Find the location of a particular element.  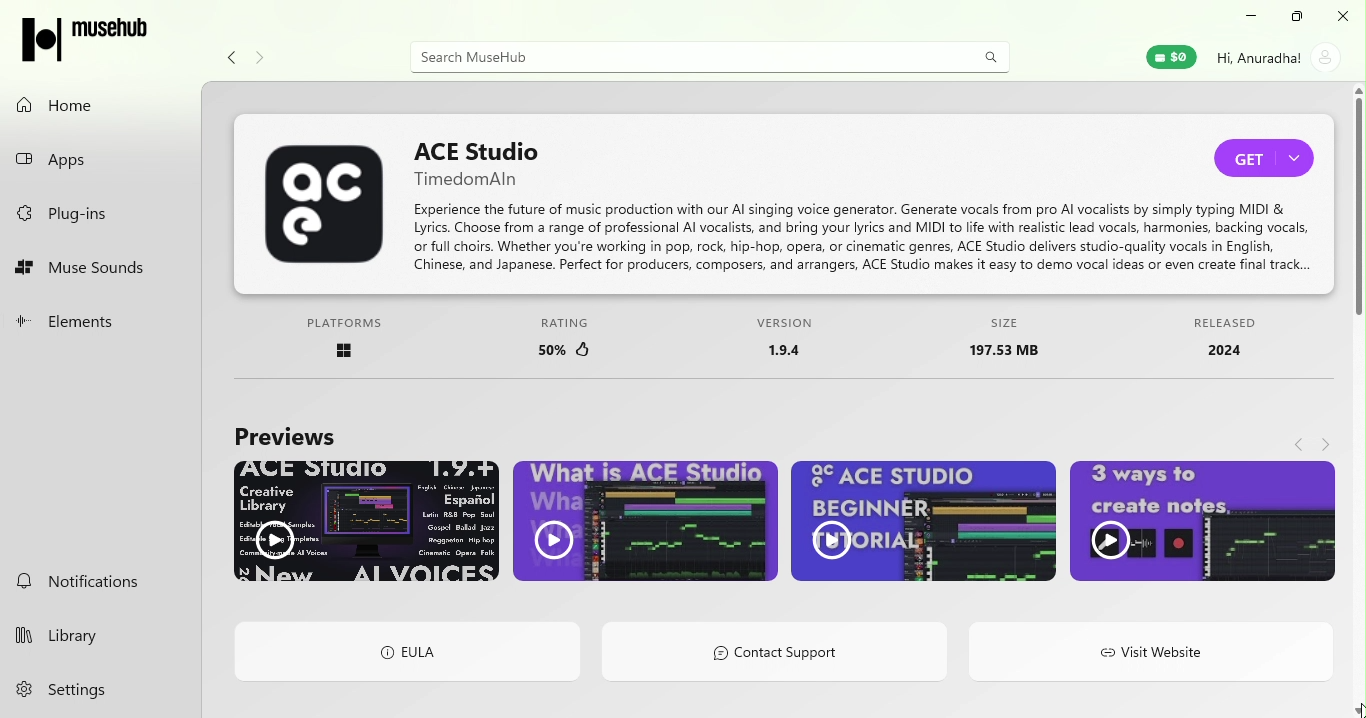

Previews is located at coordinates (282, 433).